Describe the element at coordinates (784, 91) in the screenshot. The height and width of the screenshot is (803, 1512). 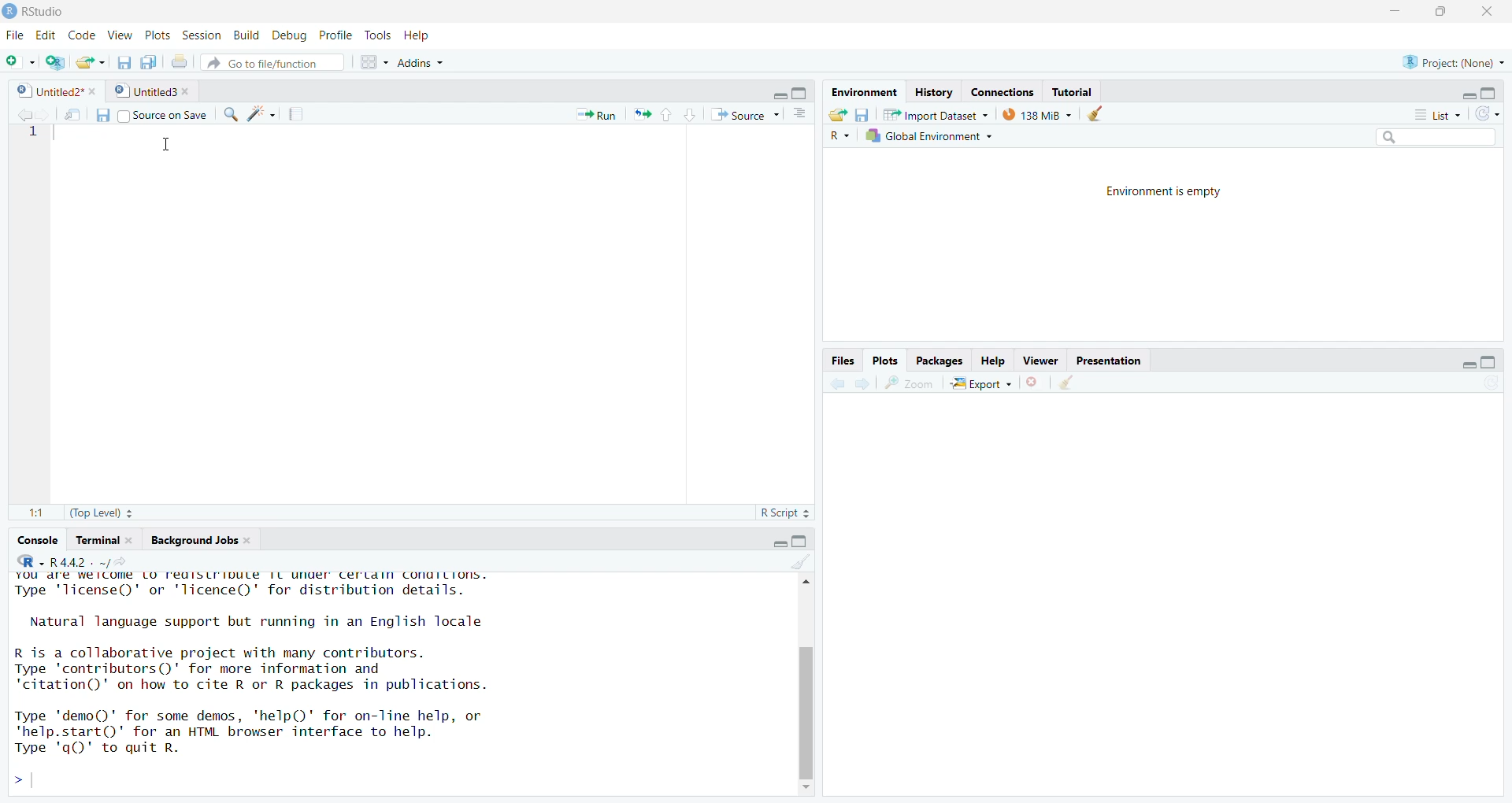
I see `minimize/maximize` at that location.